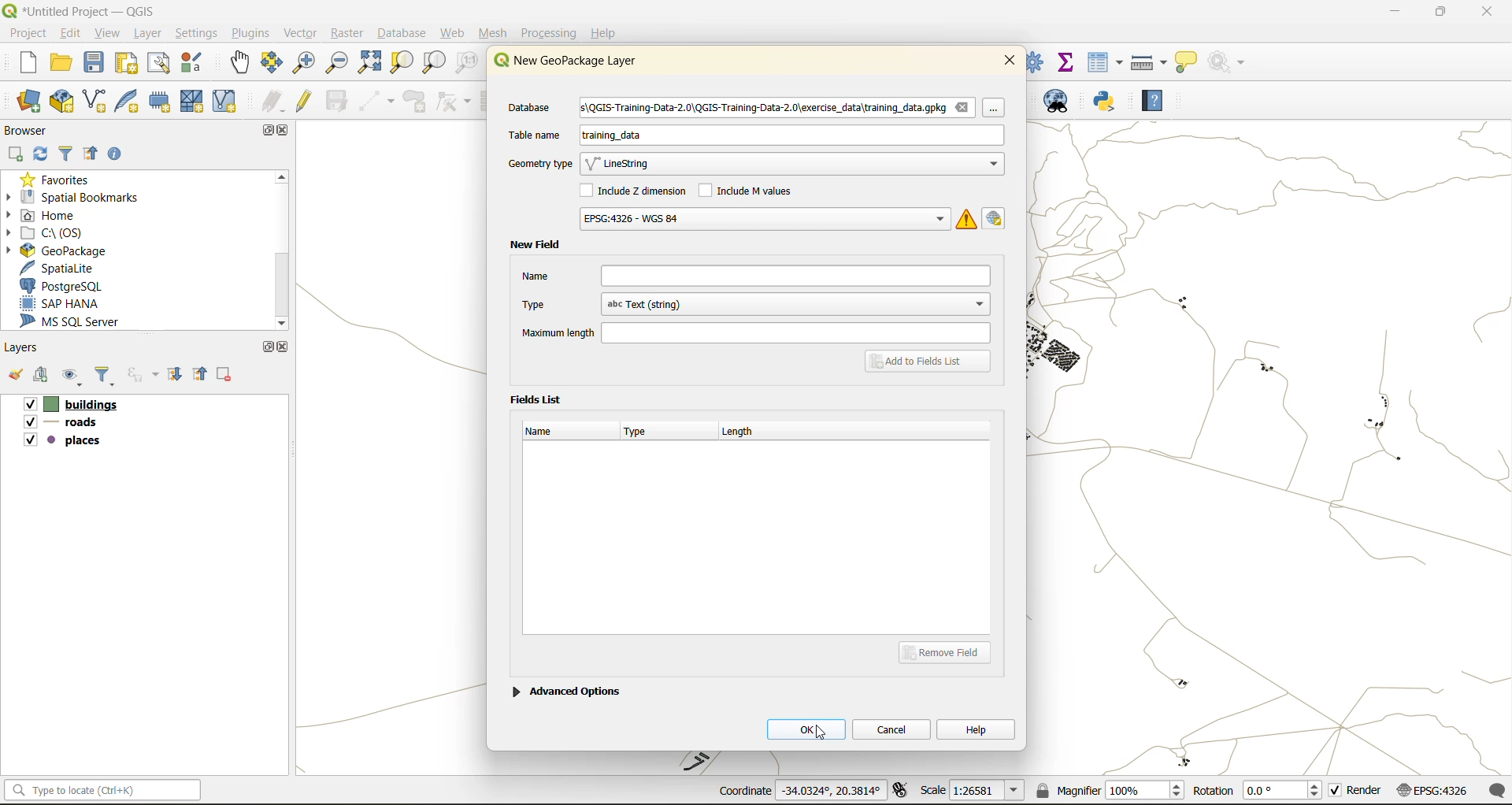 The height and width of the screenshot is (805, 1512). I want to click on name, so click(547, 431).